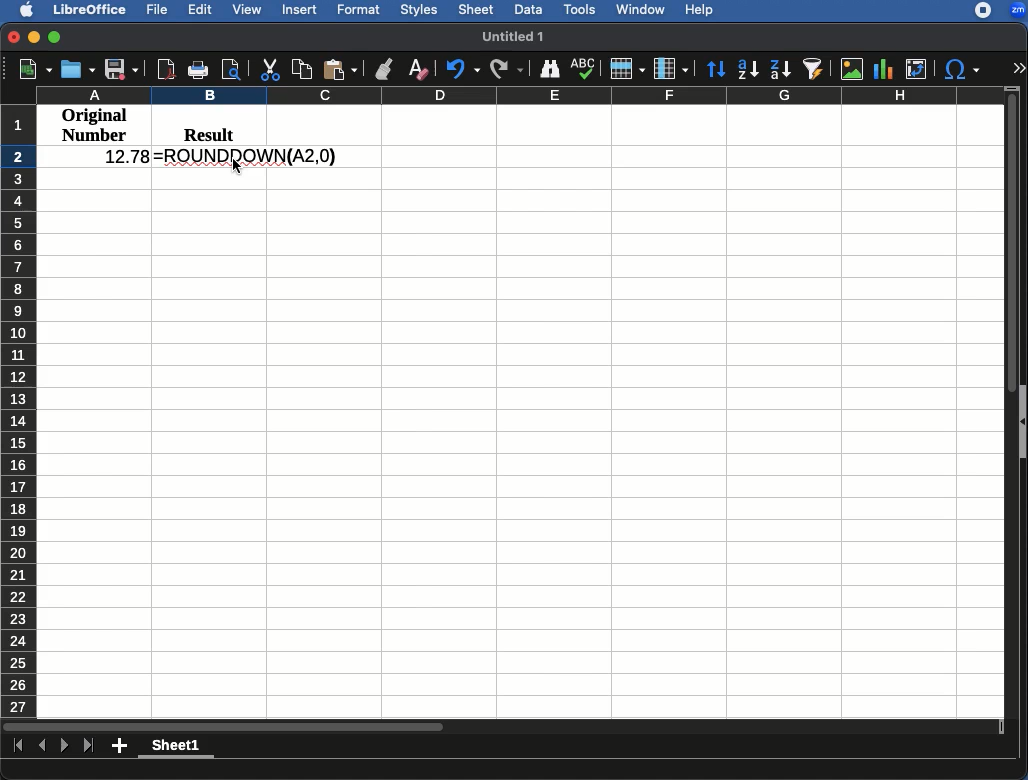 The height and width of the screenshot is (780, 1028). What do you see at coordinates (27, 69) in the screenshot?
I see `New` at bounding box center [27, 69].